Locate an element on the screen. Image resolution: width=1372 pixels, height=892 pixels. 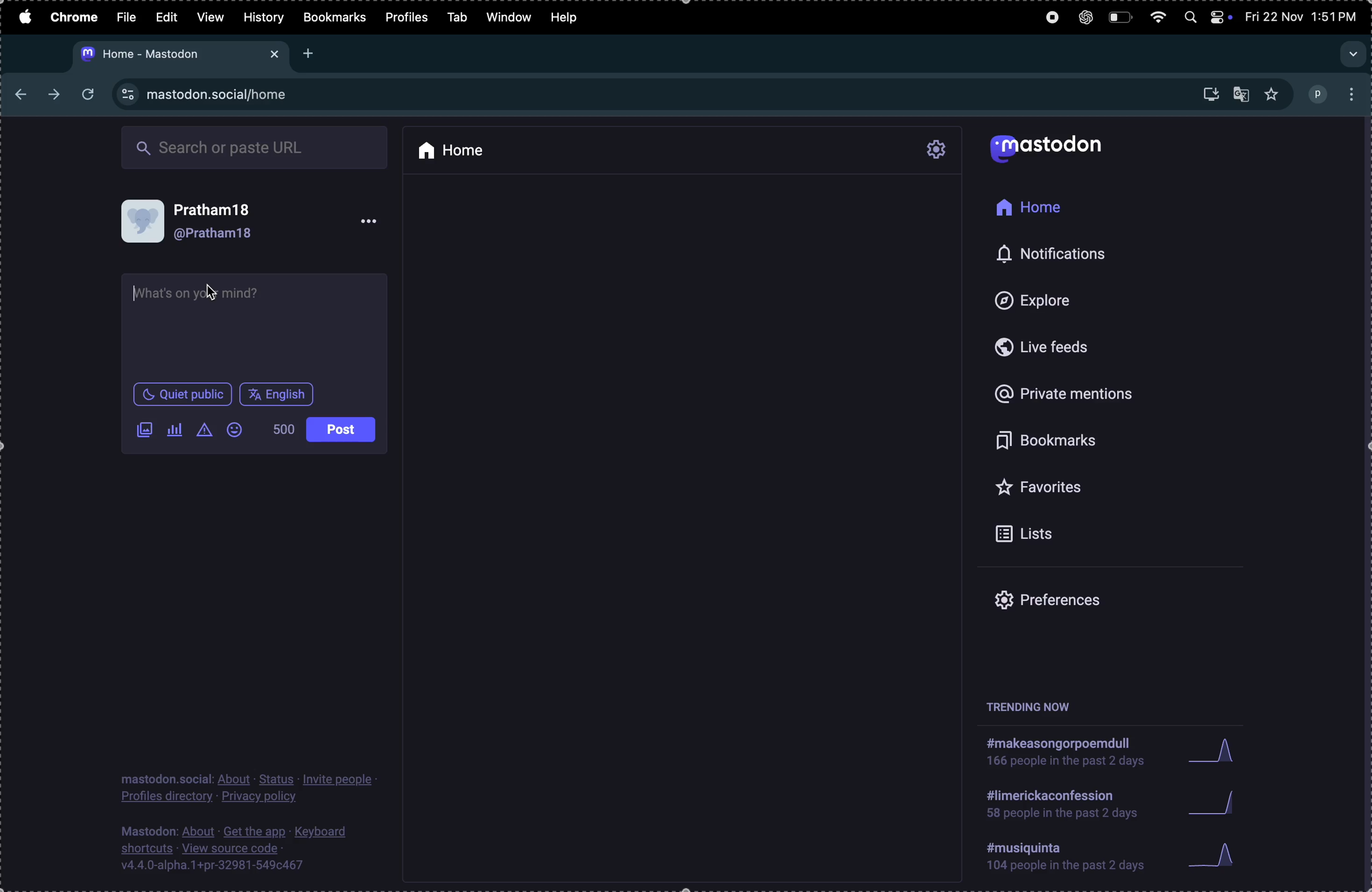
tab is located at coordinates (455, 17).